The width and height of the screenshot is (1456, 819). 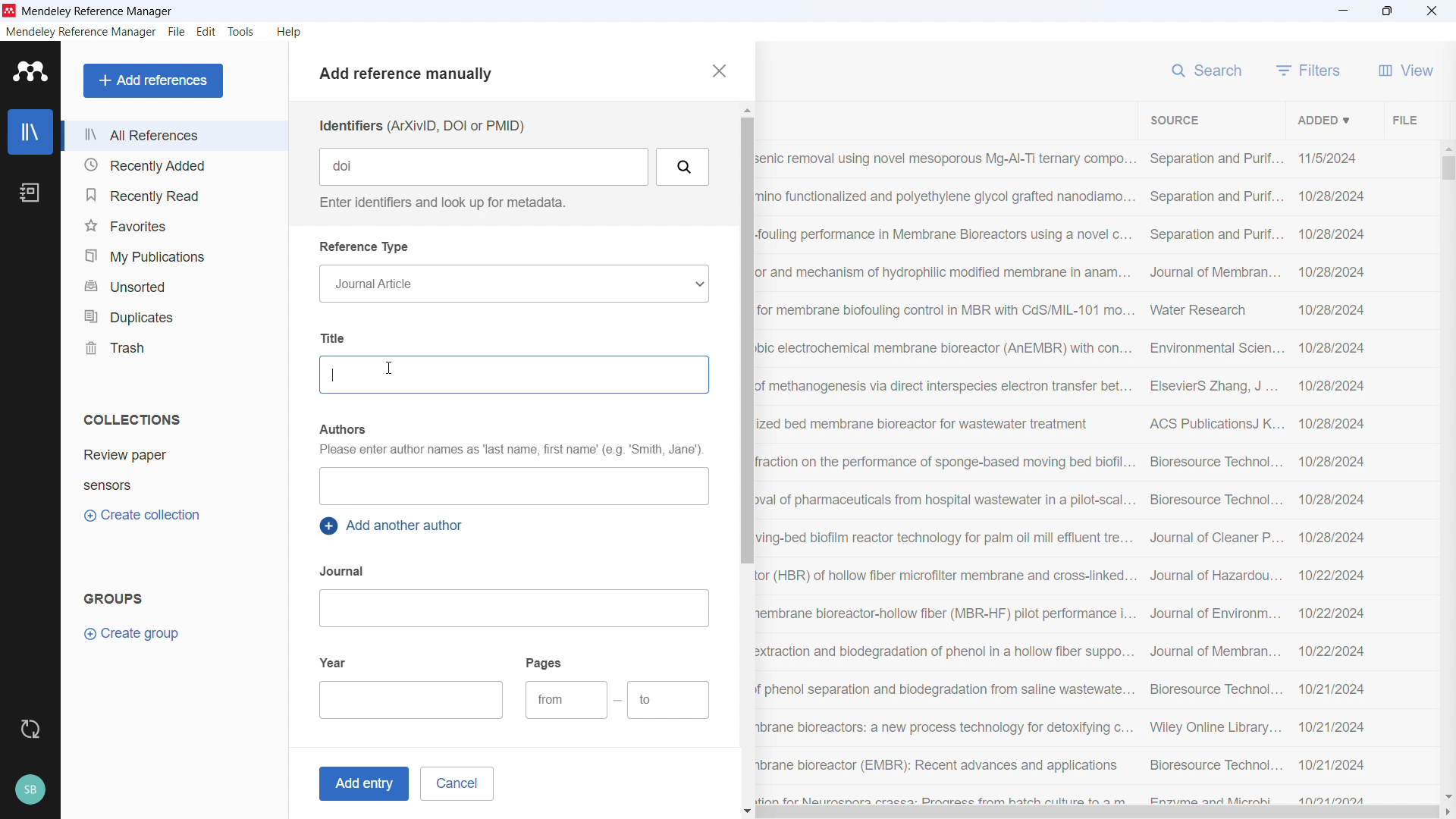 I want to click on Close, so click(x=1432, y=11).